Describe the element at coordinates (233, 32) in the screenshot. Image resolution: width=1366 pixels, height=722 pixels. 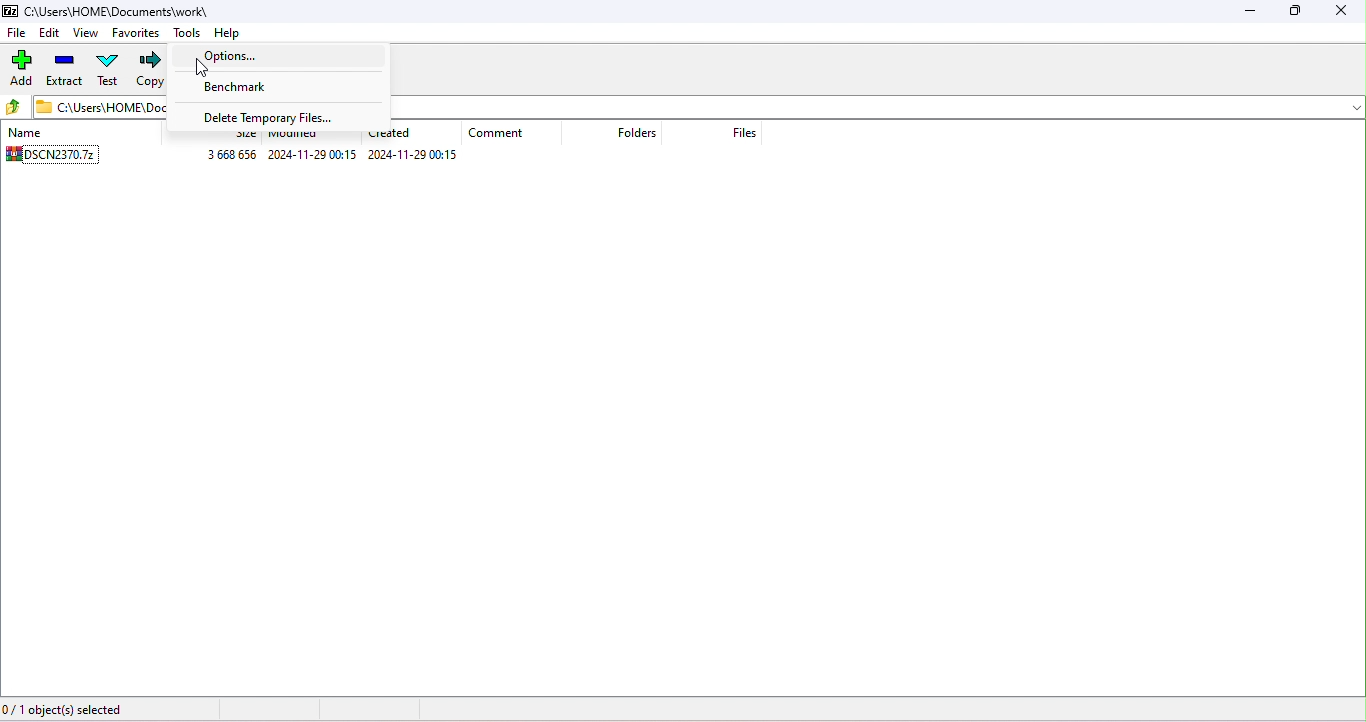
I see `help` at that location.